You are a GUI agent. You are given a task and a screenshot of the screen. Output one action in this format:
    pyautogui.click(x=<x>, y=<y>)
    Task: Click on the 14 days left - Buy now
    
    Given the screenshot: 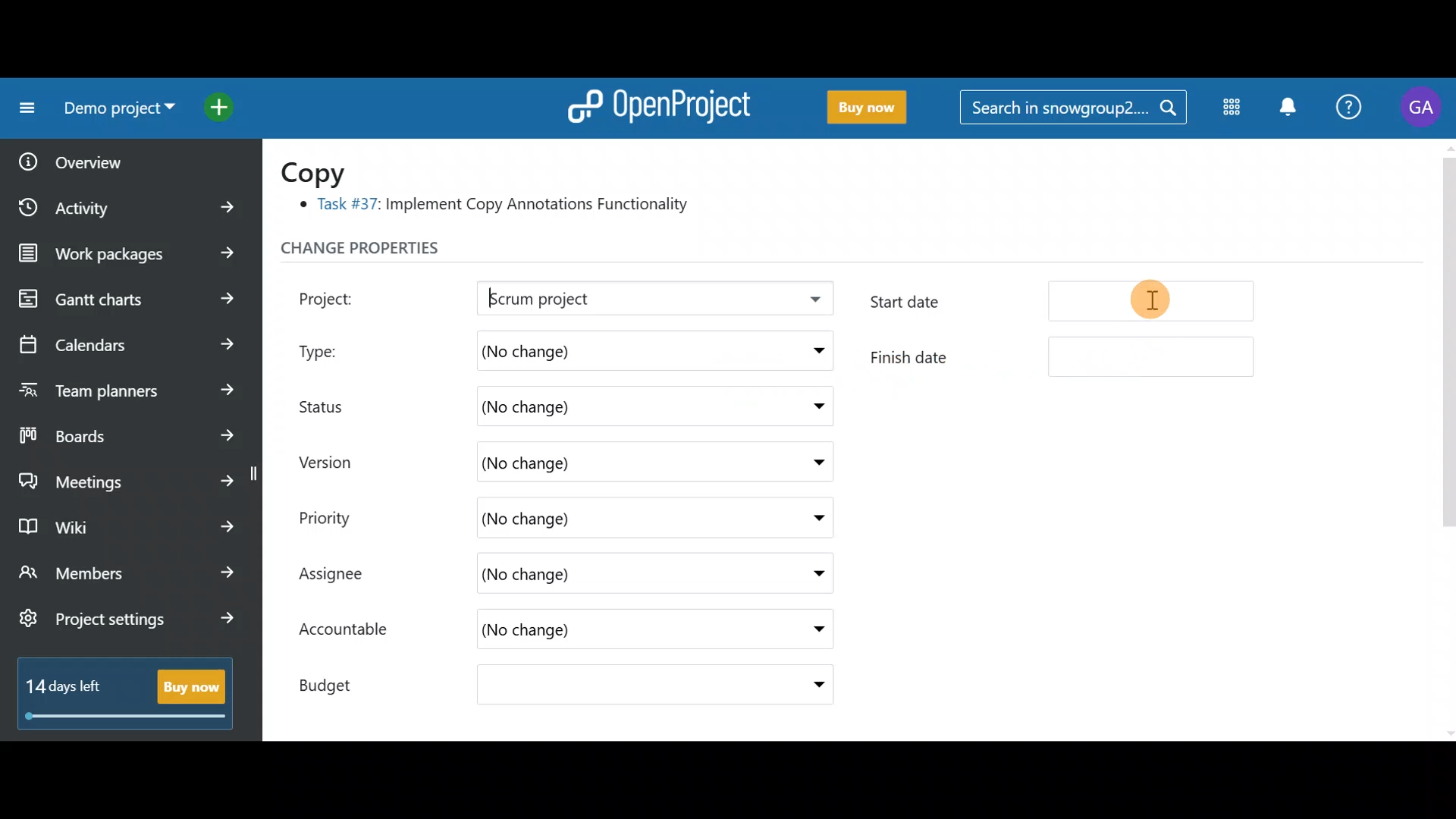 What is the action you would take?
    pyautogui.click(x=118, y=690)
    